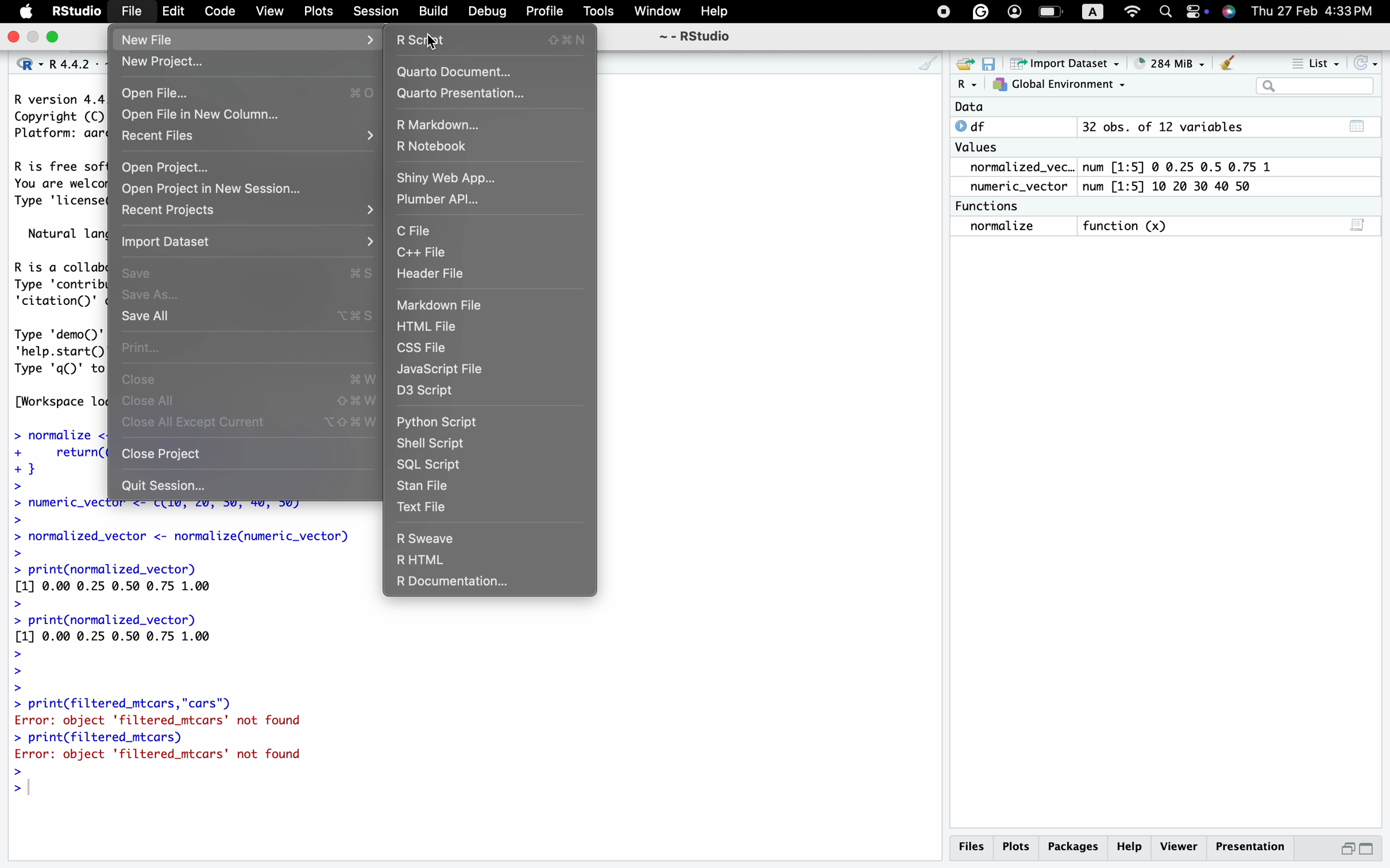 This screenshot has width=1390, height=868. I want to click on R, so click(966, 86).